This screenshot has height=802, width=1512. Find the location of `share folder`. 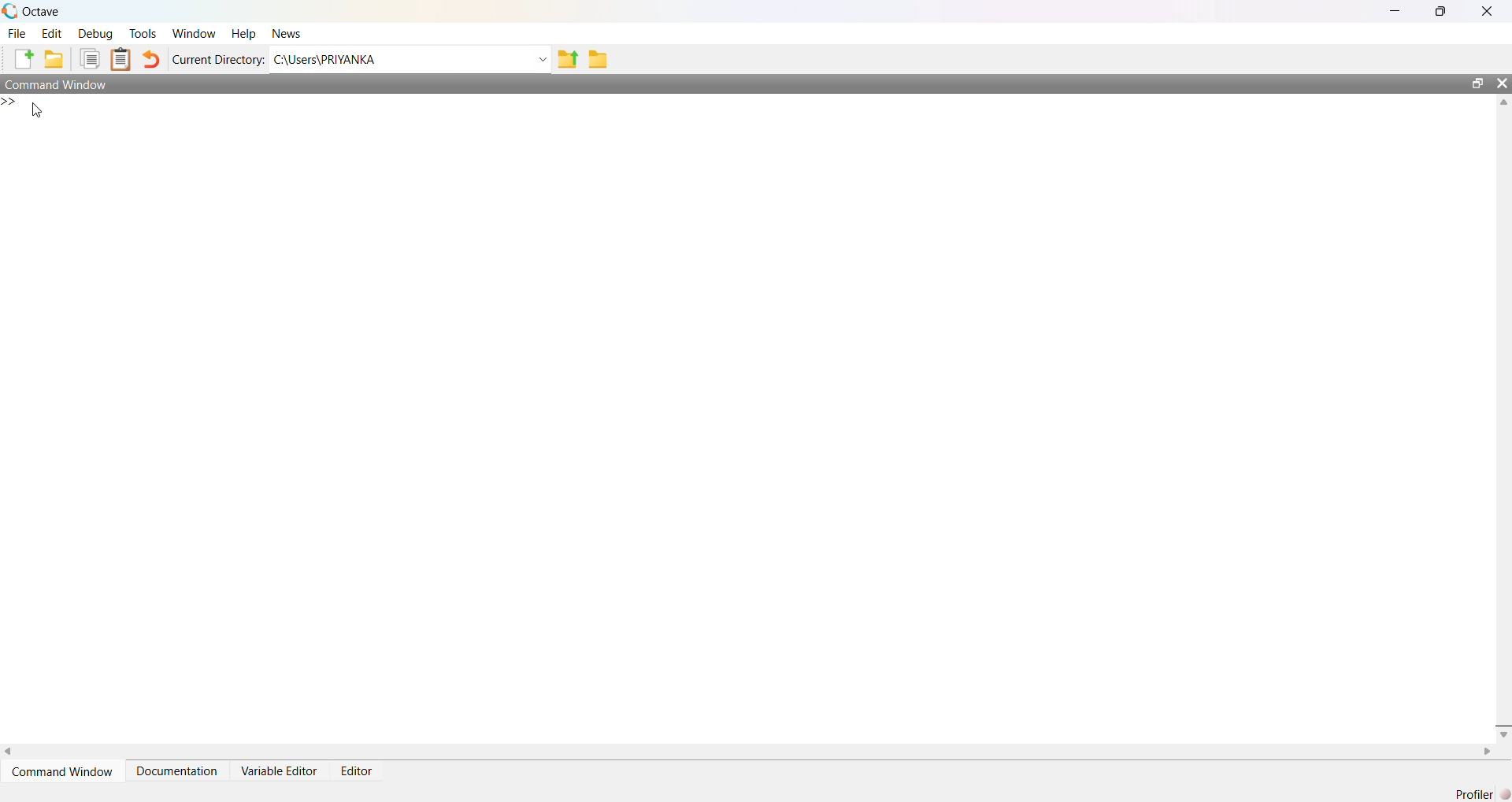

share folder is located at coordinates (567, 60).